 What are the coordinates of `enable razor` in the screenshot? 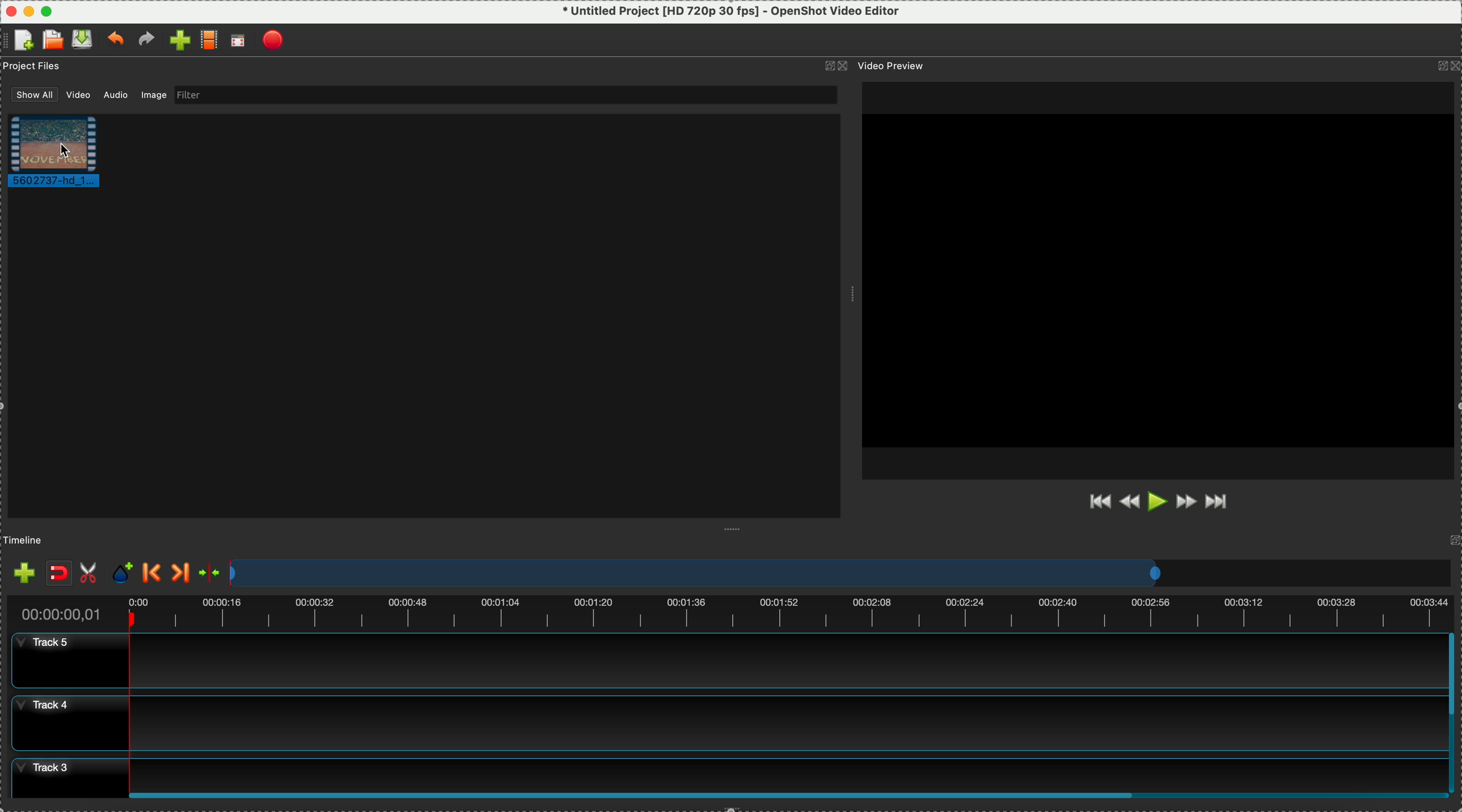 It's located at (91, 571).